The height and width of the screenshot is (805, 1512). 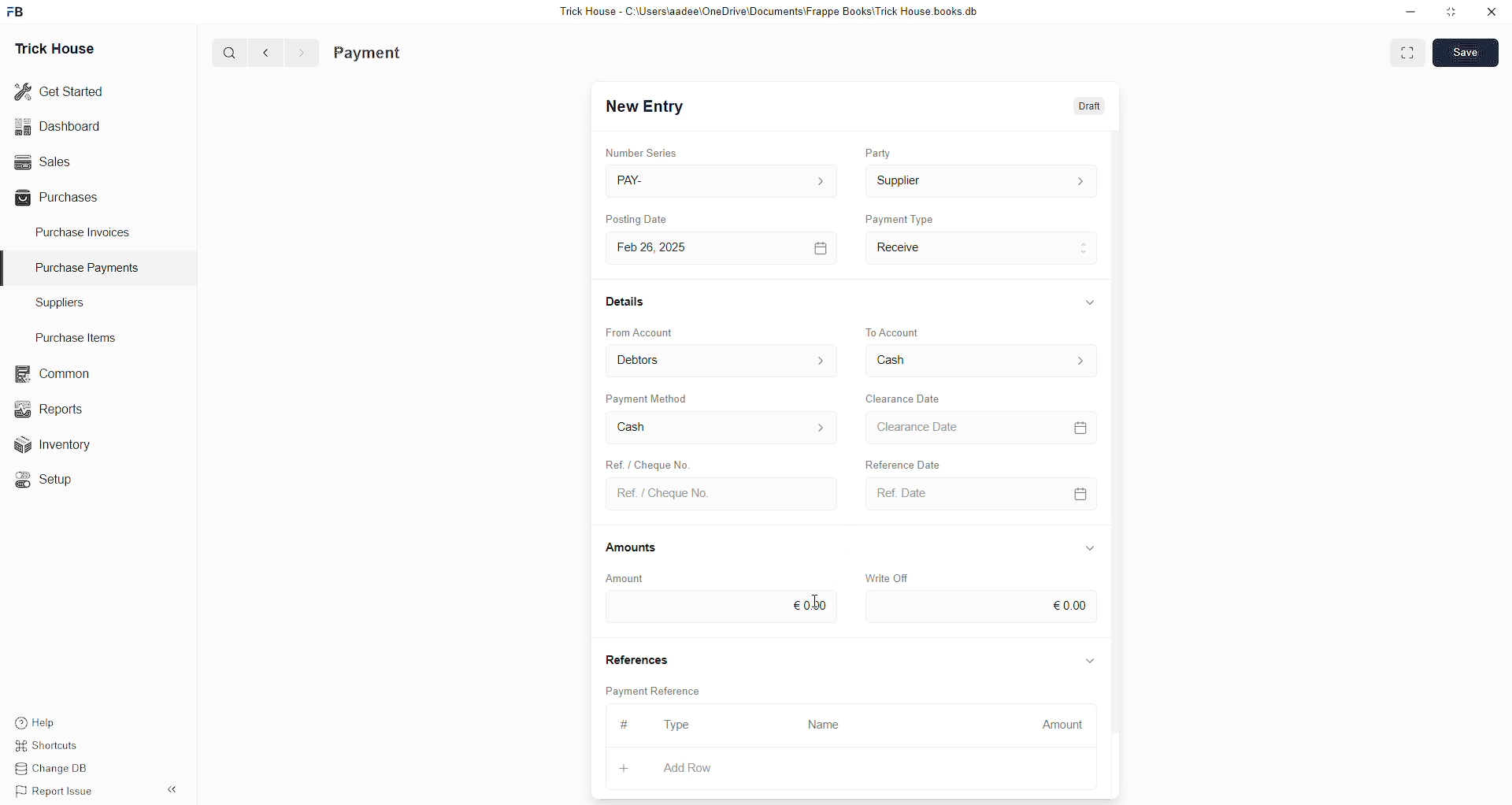 I want to click on cursor, so click(x=814, y=601).